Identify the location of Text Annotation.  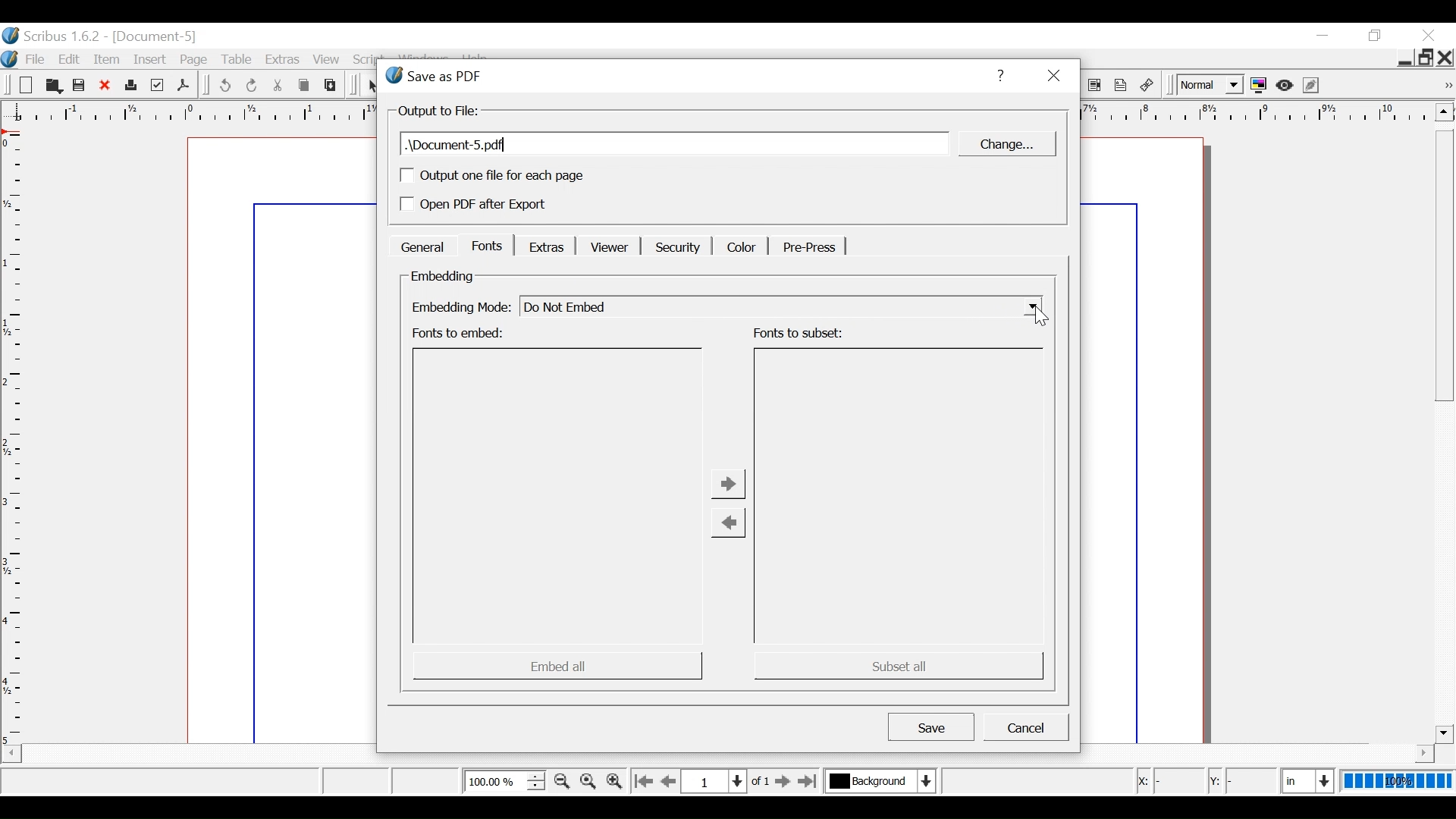
(1121, 86).